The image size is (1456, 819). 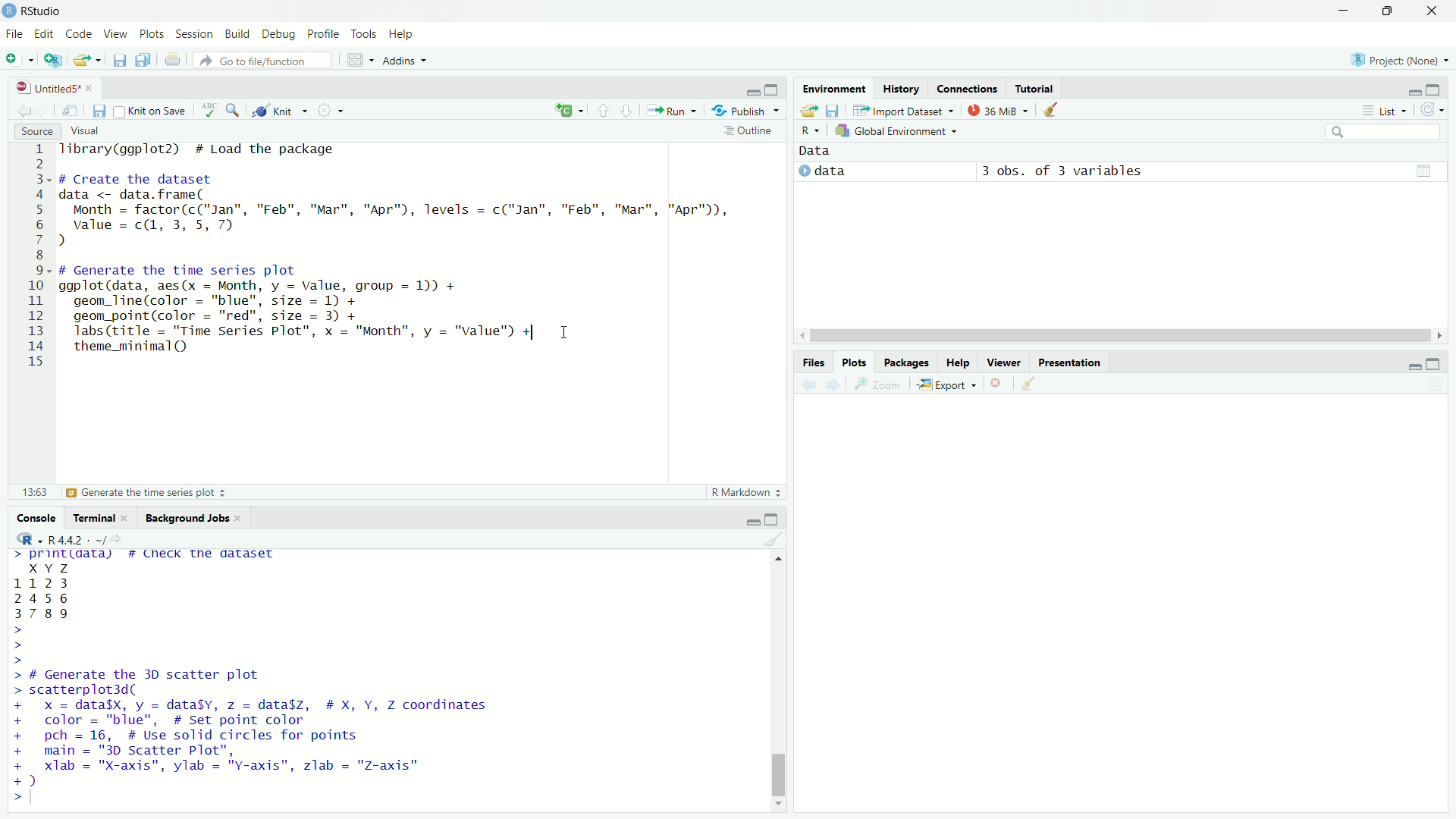 What do you see at coordinates (27, 492) in the screenshot?
I see `13:63` at bounding box center [27, 492].